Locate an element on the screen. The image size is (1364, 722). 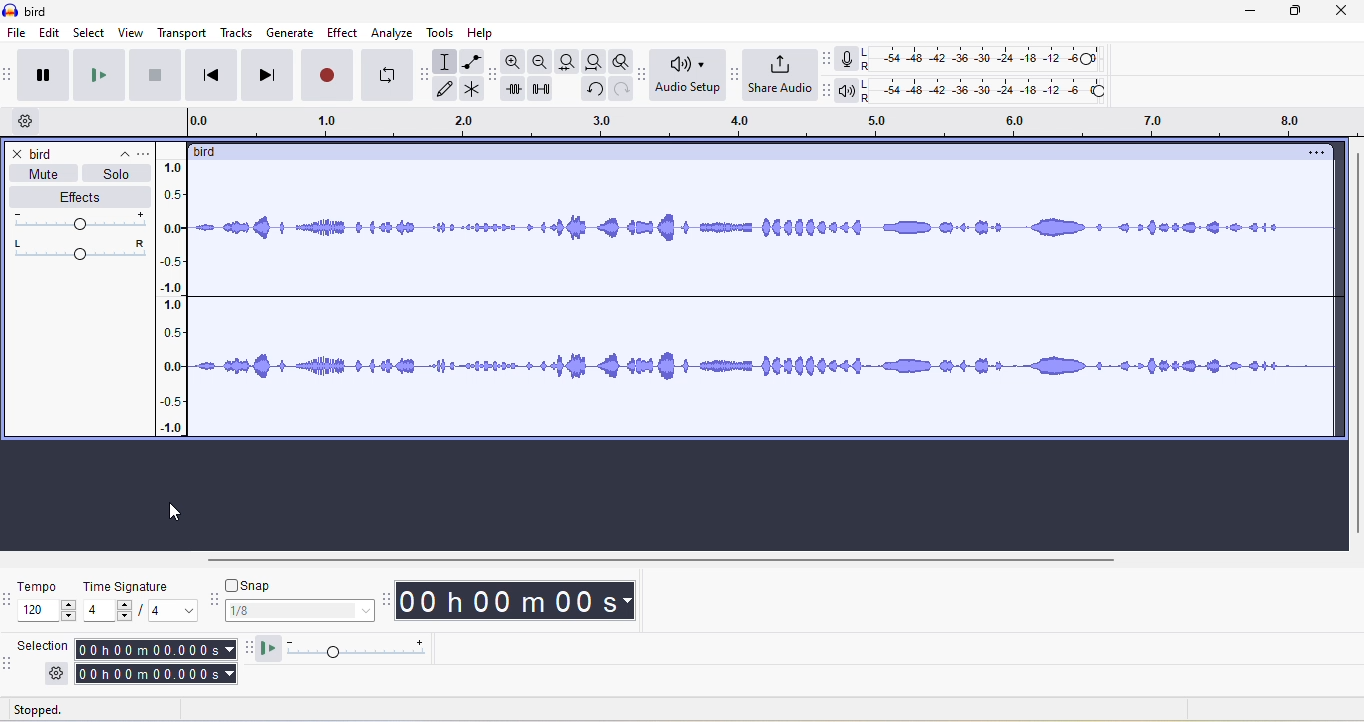
maximize is located at coordinates (1304, 15).